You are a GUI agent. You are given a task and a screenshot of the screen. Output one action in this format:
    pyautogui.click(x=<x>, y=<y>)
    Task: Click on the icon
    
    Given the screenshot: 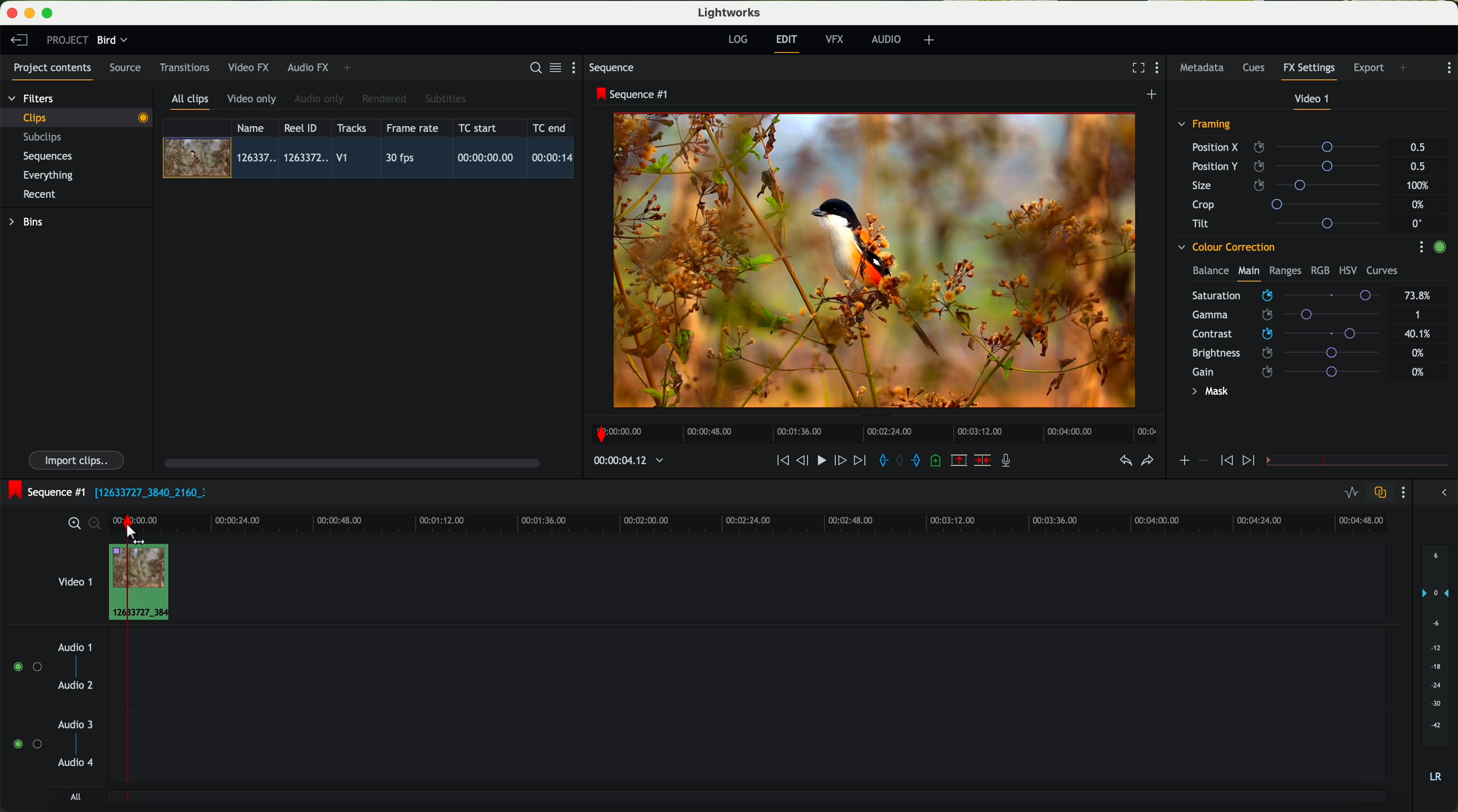 What is the action you would take?
    pyautogui.click(x=1225, y=461)
    